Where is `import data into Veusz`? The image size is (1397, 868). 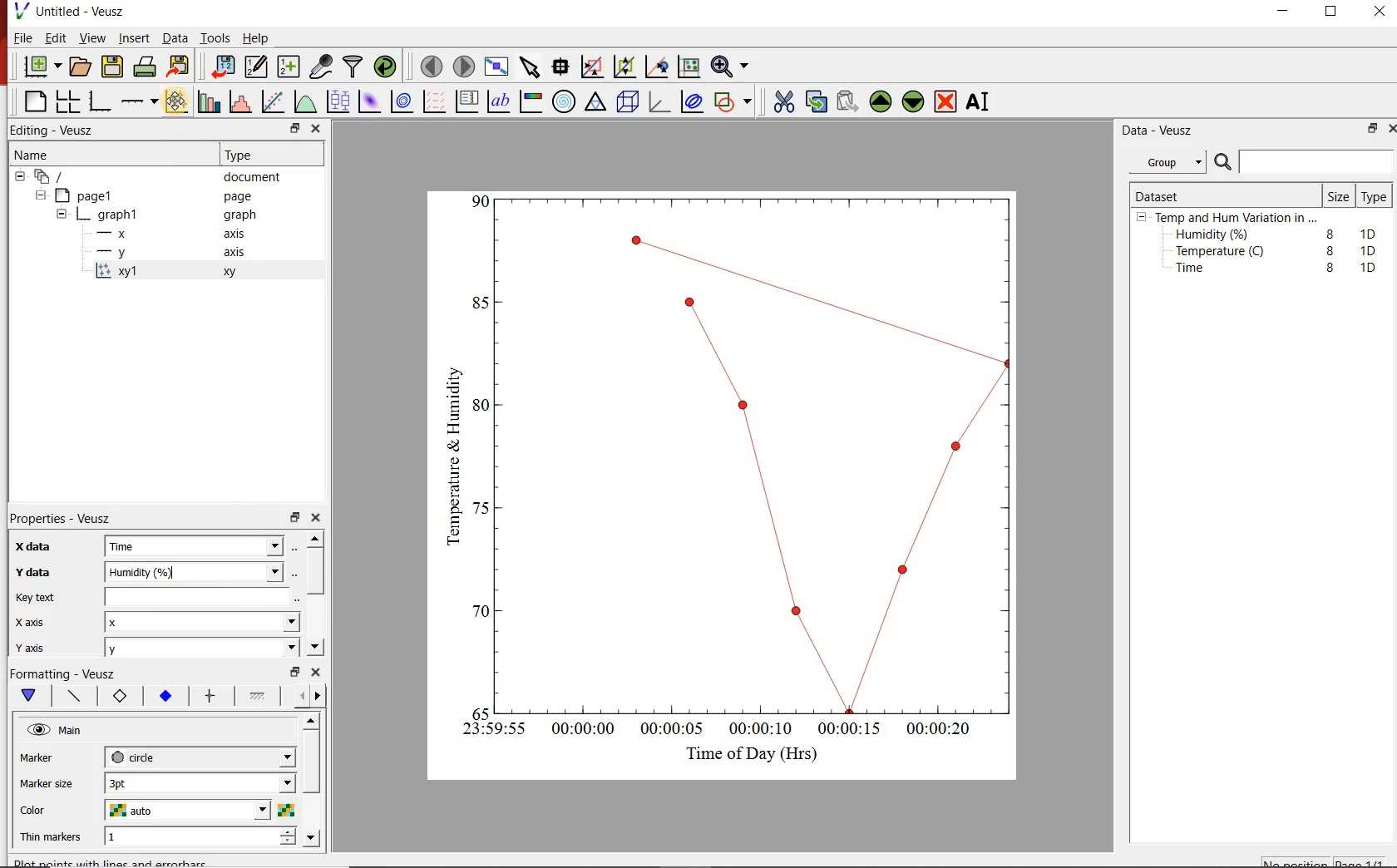
import data into Veusz is located at coordinates (222, 65).